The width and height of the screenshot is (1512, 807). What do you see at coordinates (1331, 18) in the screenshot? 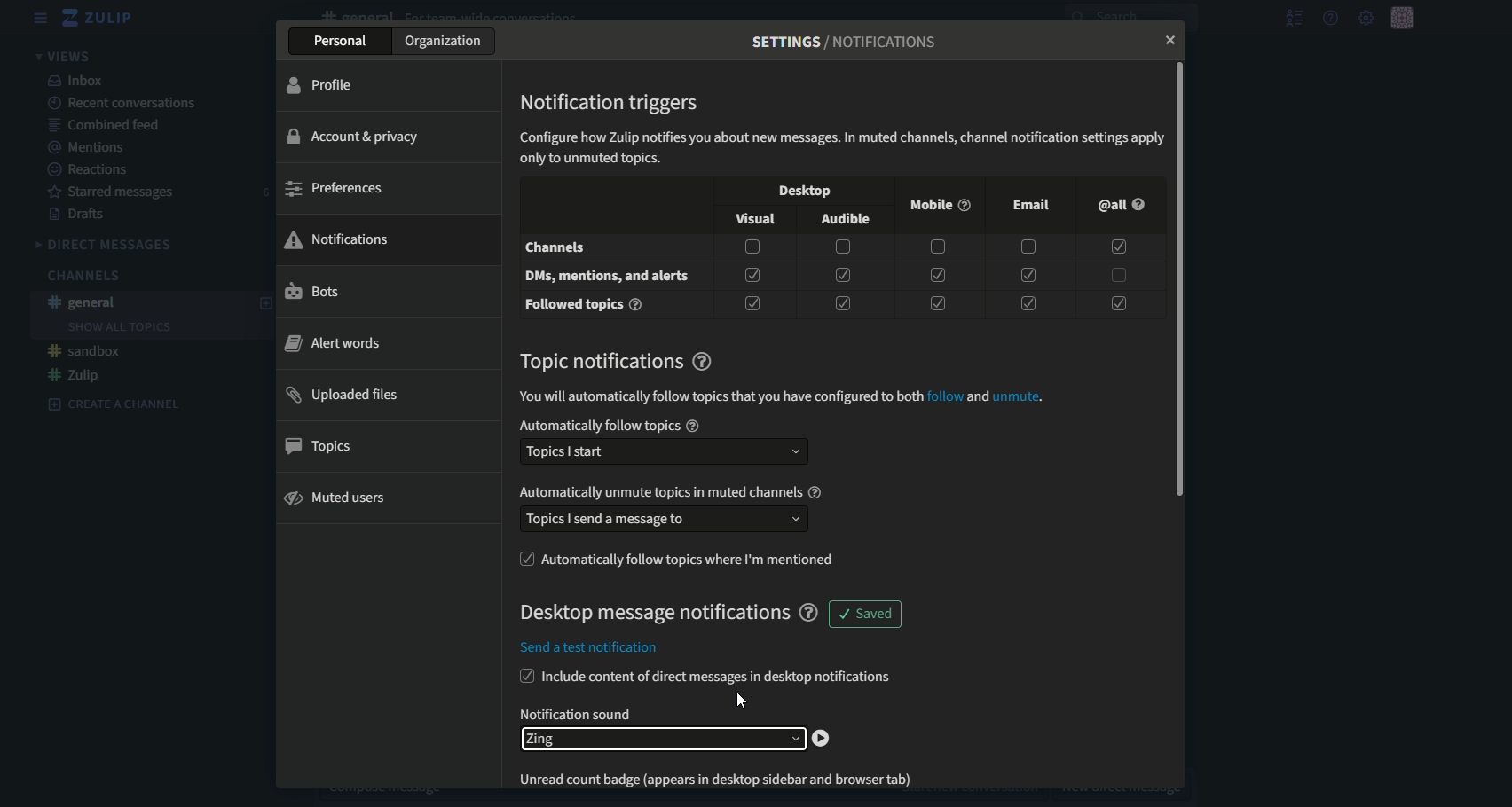
I see `help menu` at bounding box center [1331, 18].